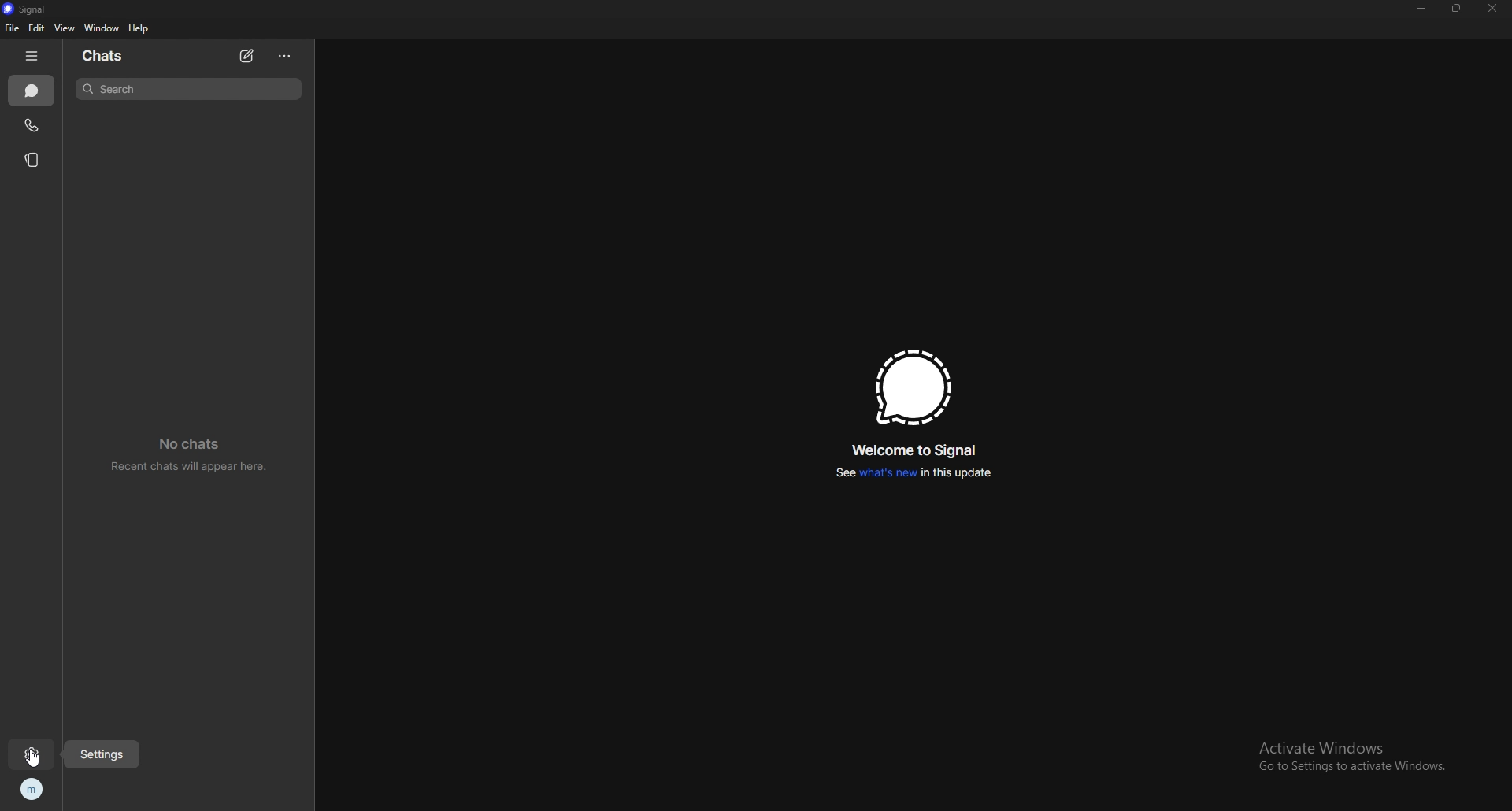 This screenshot has width=1512, height=811. Describe the element at coordinates (25, 9) in the screenshot. I see `signal` at that location.